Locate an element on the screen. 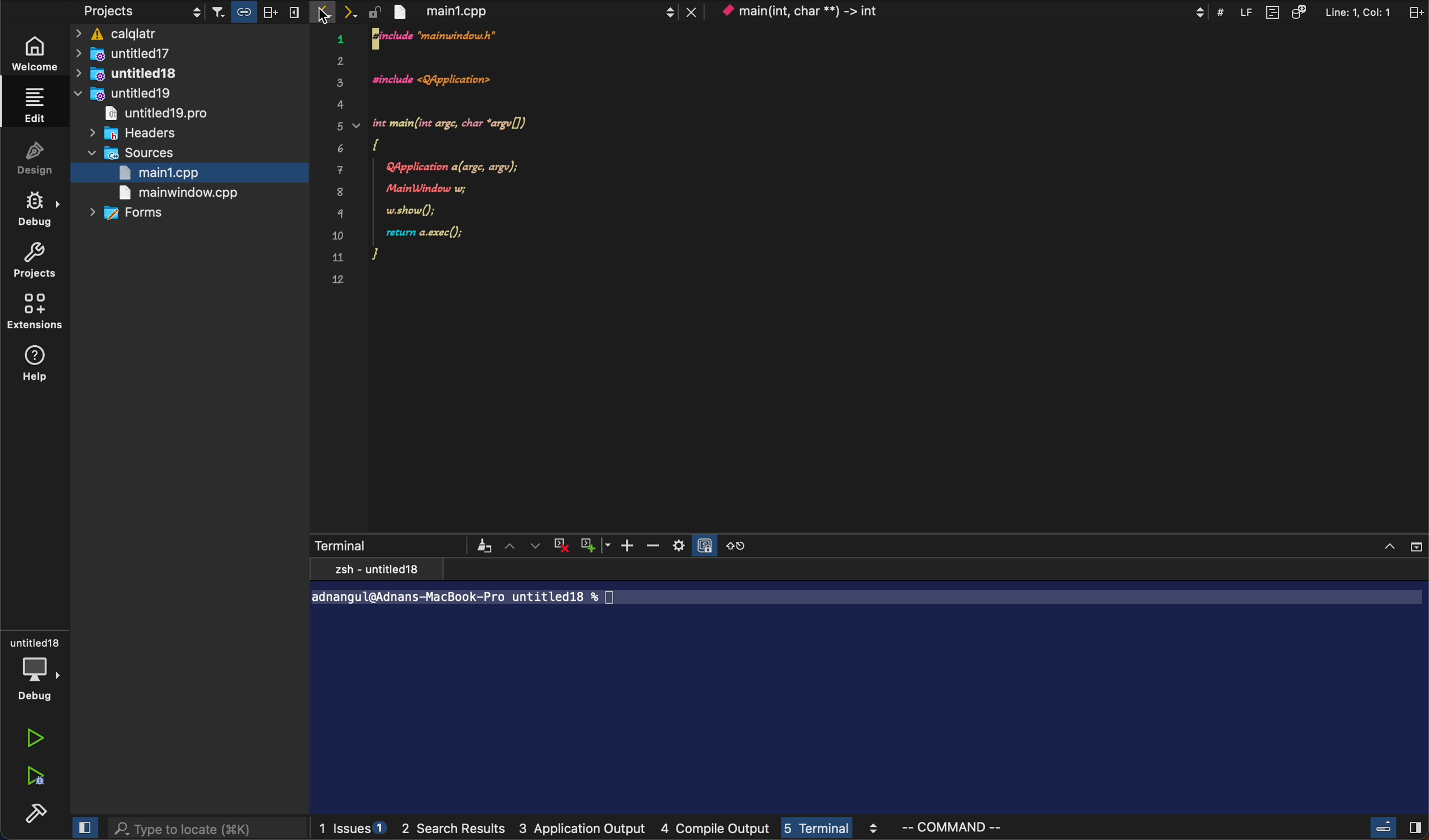  untitled 19 is located at coordinates (164, 115).